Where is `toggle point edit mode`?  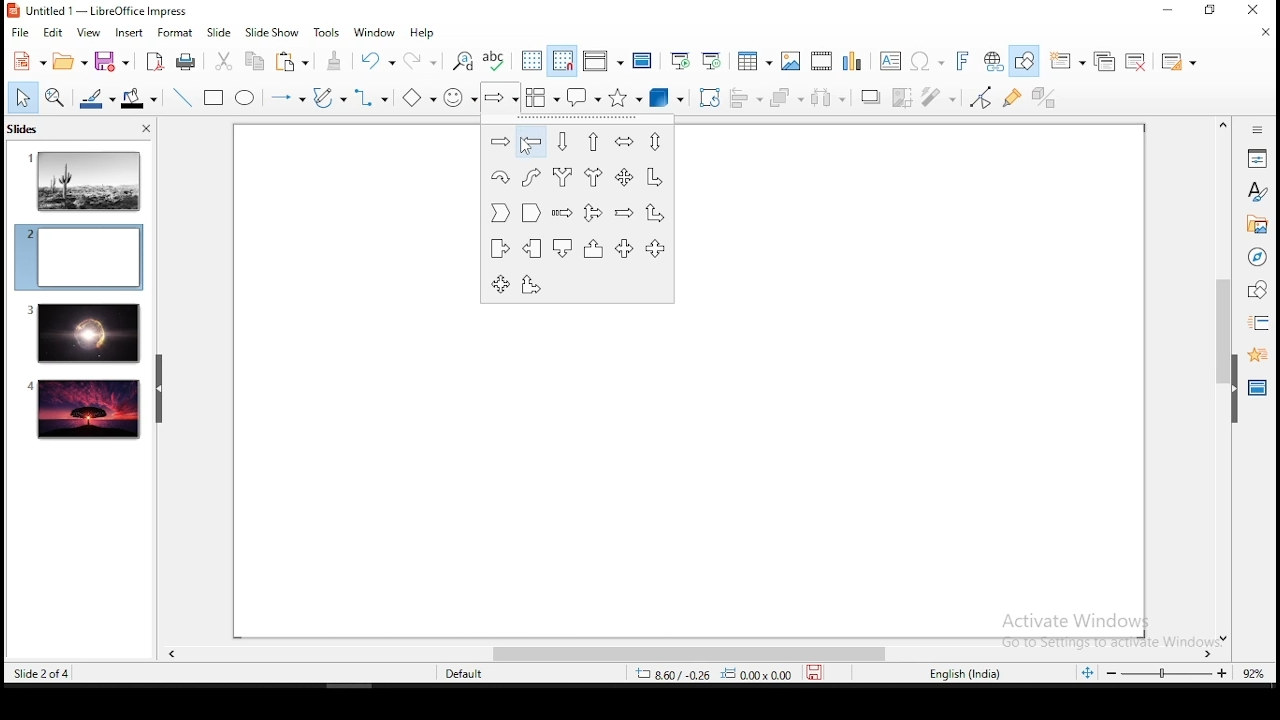
toggle point edit mode is located at coordinates (981, 99).